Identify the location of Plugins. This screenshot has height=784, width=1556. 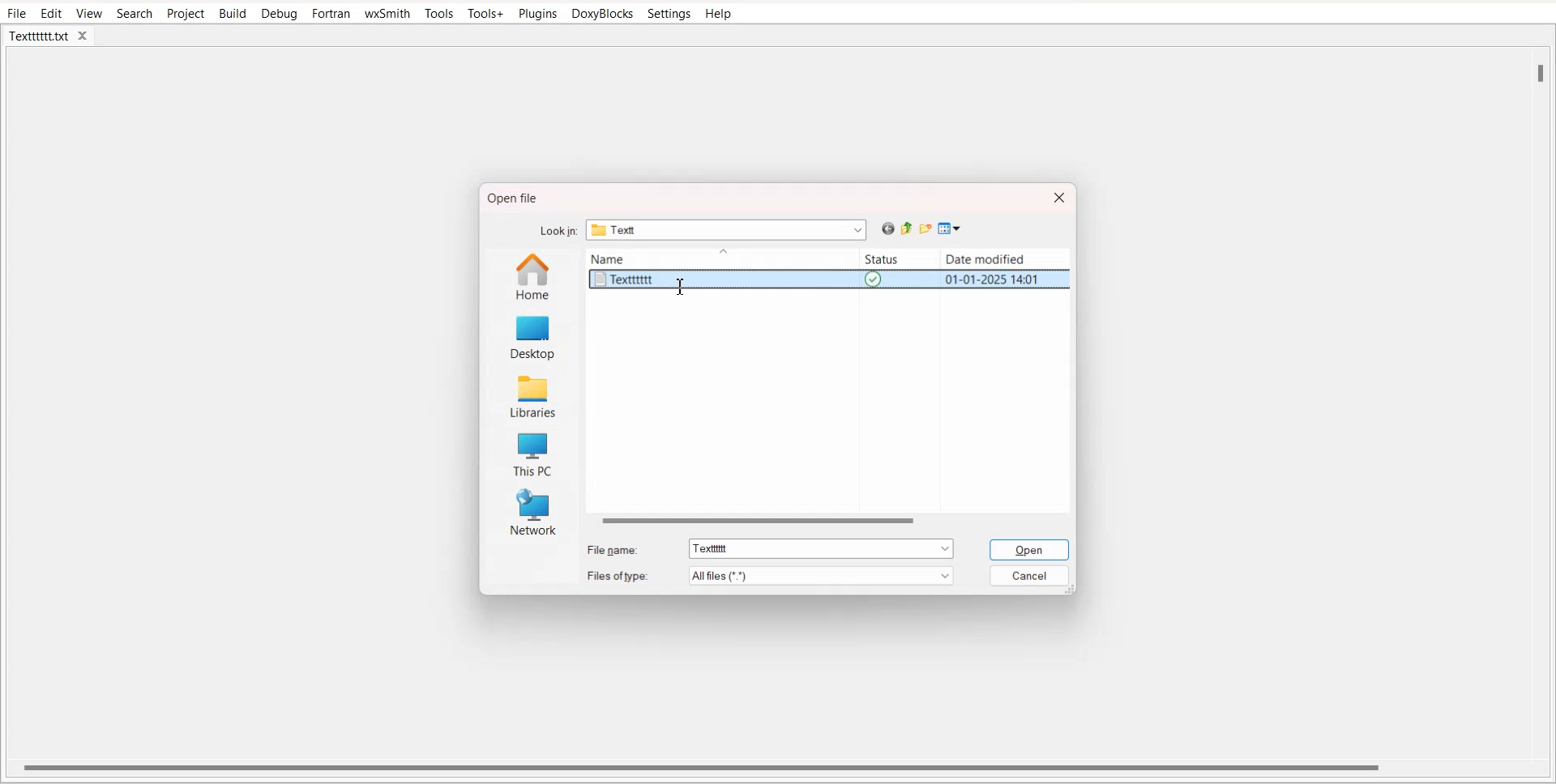
(536, 13).